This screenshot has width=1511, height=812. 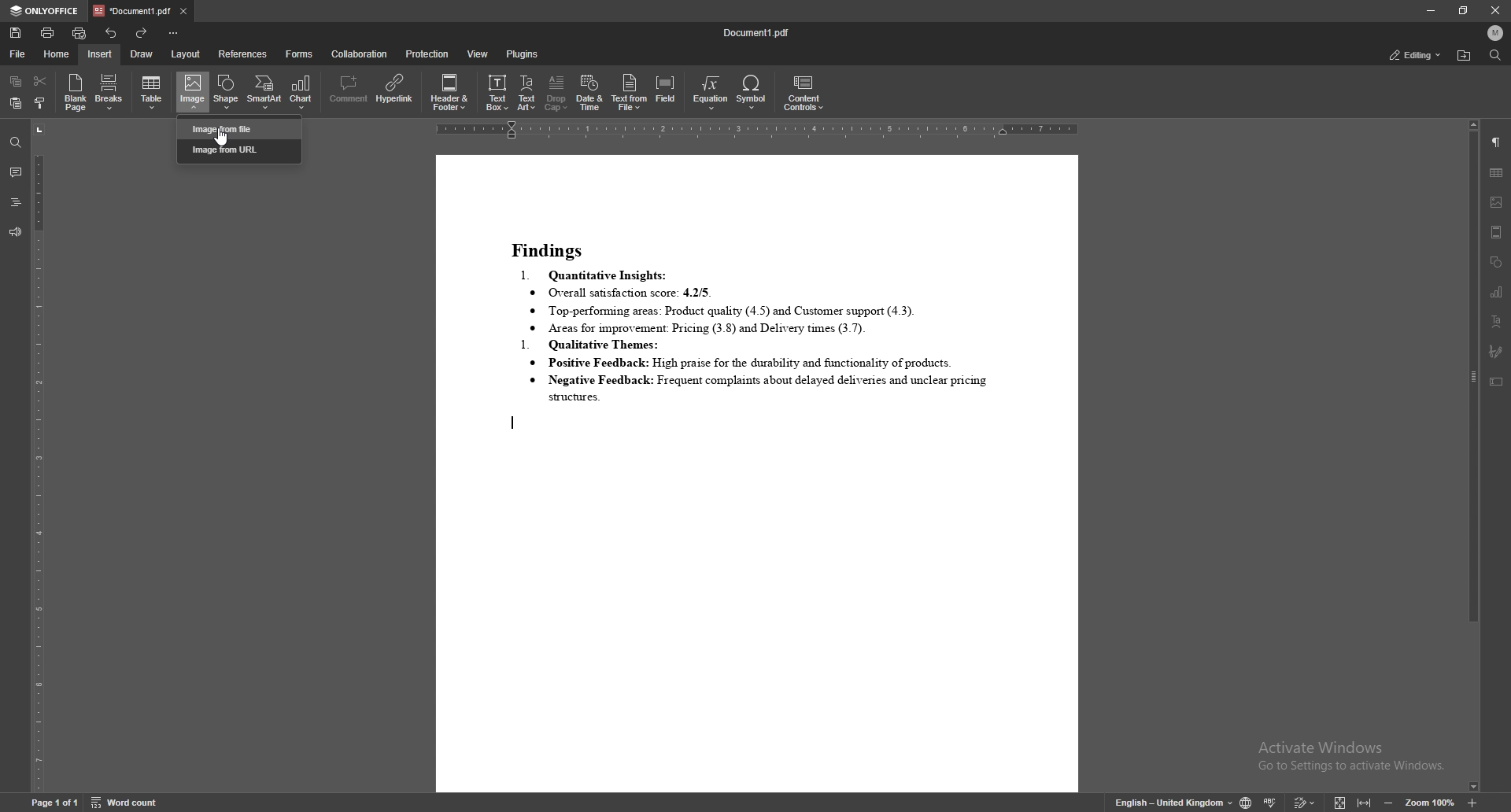 What do you see at coordinates (1470, 803) in the screenshot?
I see `increase zoom` at bounding box center [1470, 803].